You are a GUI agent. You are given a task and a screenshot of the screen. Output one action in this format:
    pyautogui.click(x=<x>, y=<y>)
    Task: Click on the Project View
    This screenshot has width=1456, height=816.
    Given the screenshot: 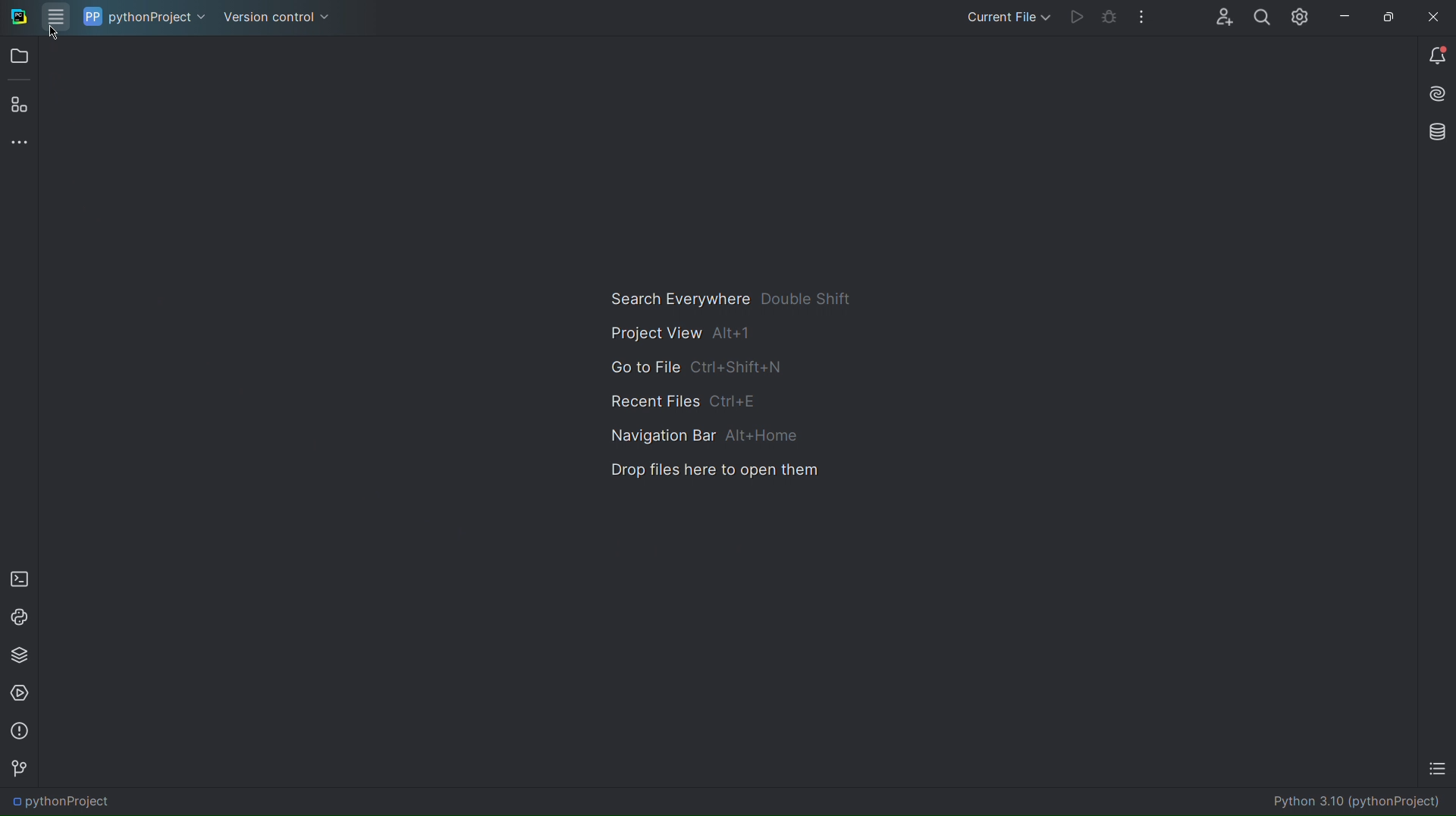 What is the action you would take?
    pyautogui.click(x=676, y=332)
    